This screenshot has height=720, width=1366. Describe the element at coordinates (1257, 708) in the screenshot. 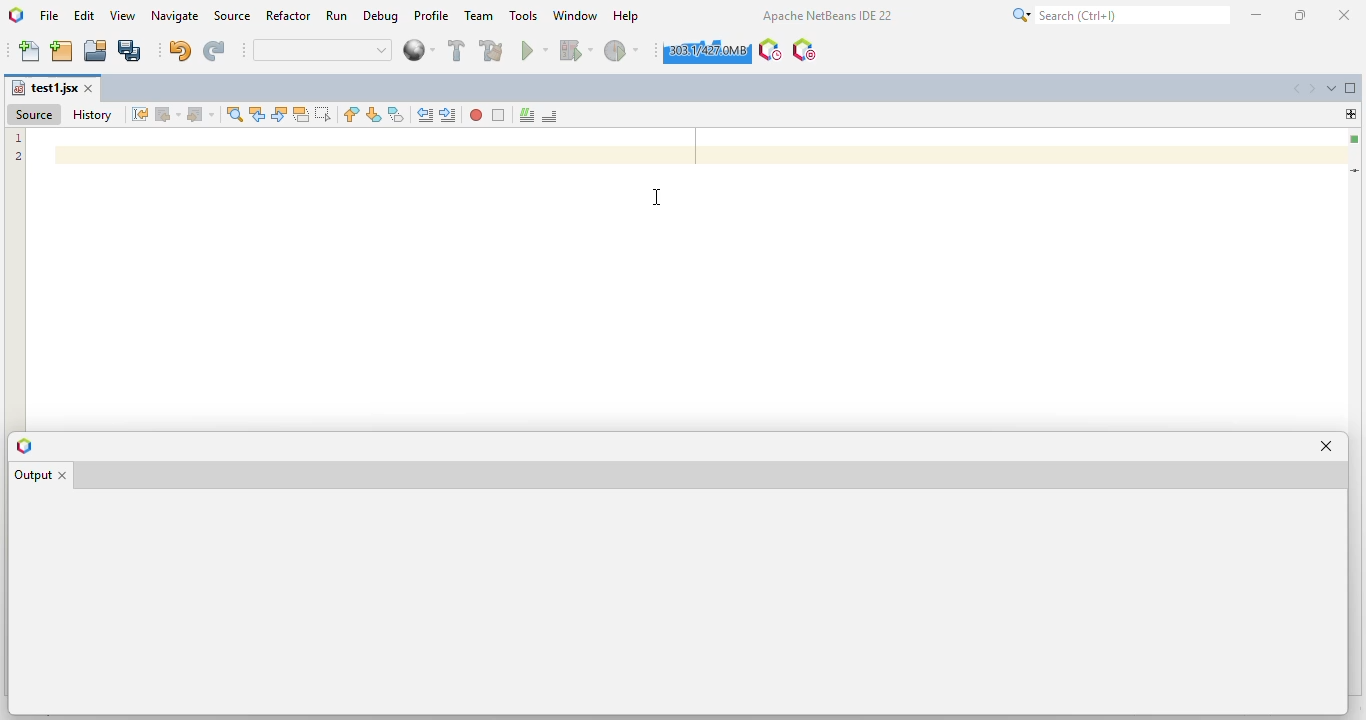

I see `insert mode` at that location.